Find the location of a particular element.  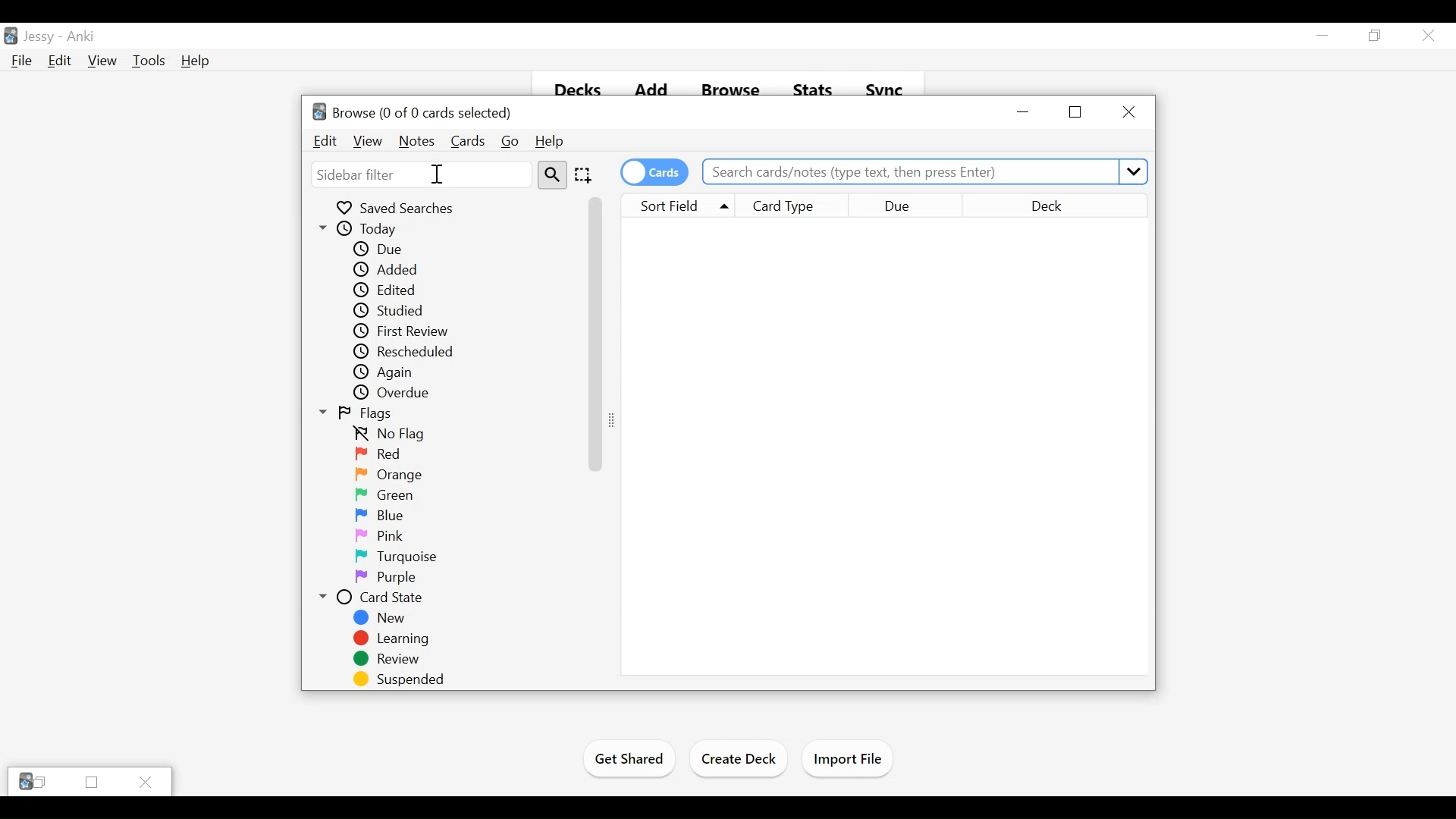

Studie is located at coordinates (389, 310).